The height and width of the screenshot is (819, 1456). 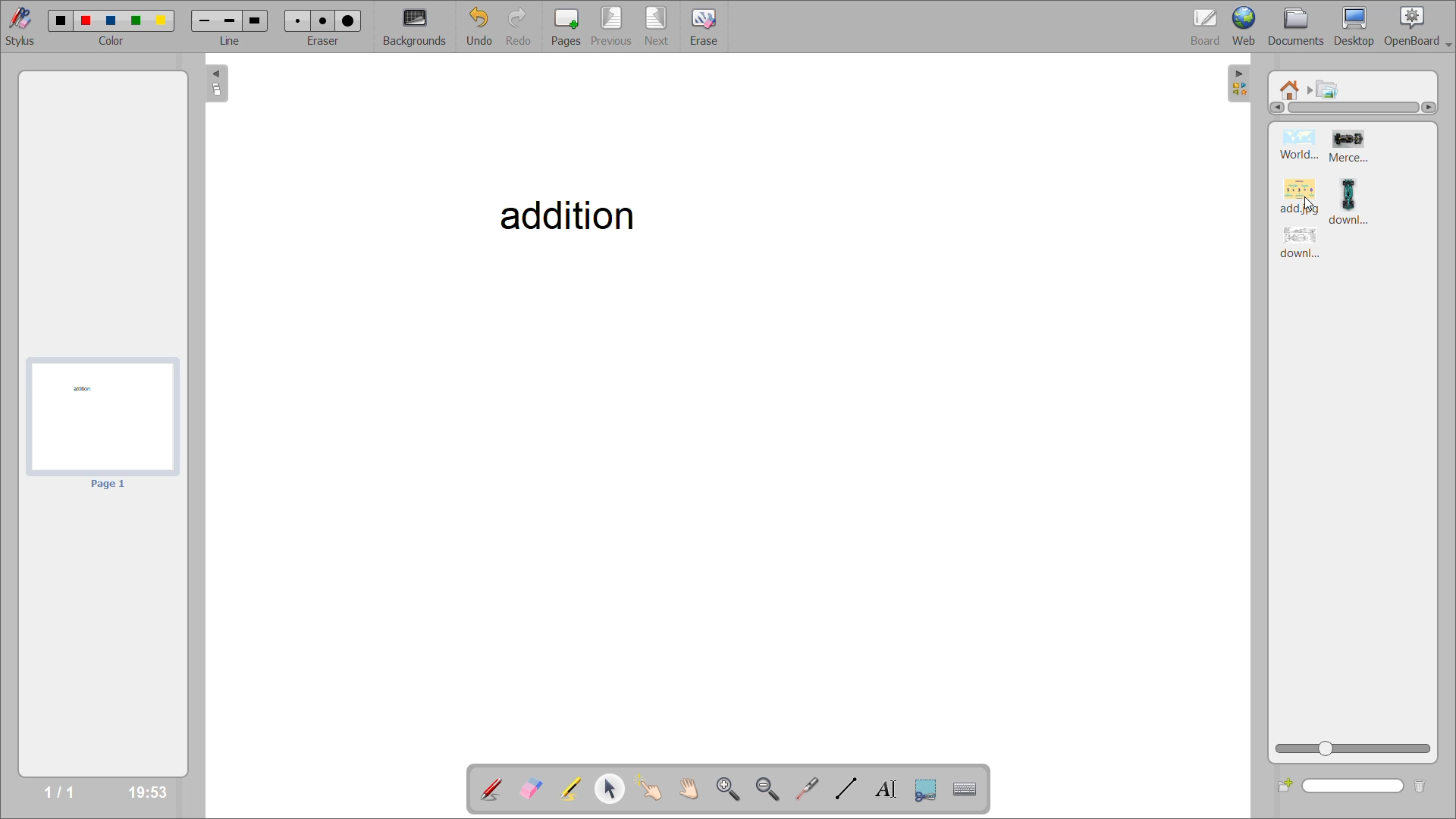 I want to click on color 5, so click(x=162, y=22).